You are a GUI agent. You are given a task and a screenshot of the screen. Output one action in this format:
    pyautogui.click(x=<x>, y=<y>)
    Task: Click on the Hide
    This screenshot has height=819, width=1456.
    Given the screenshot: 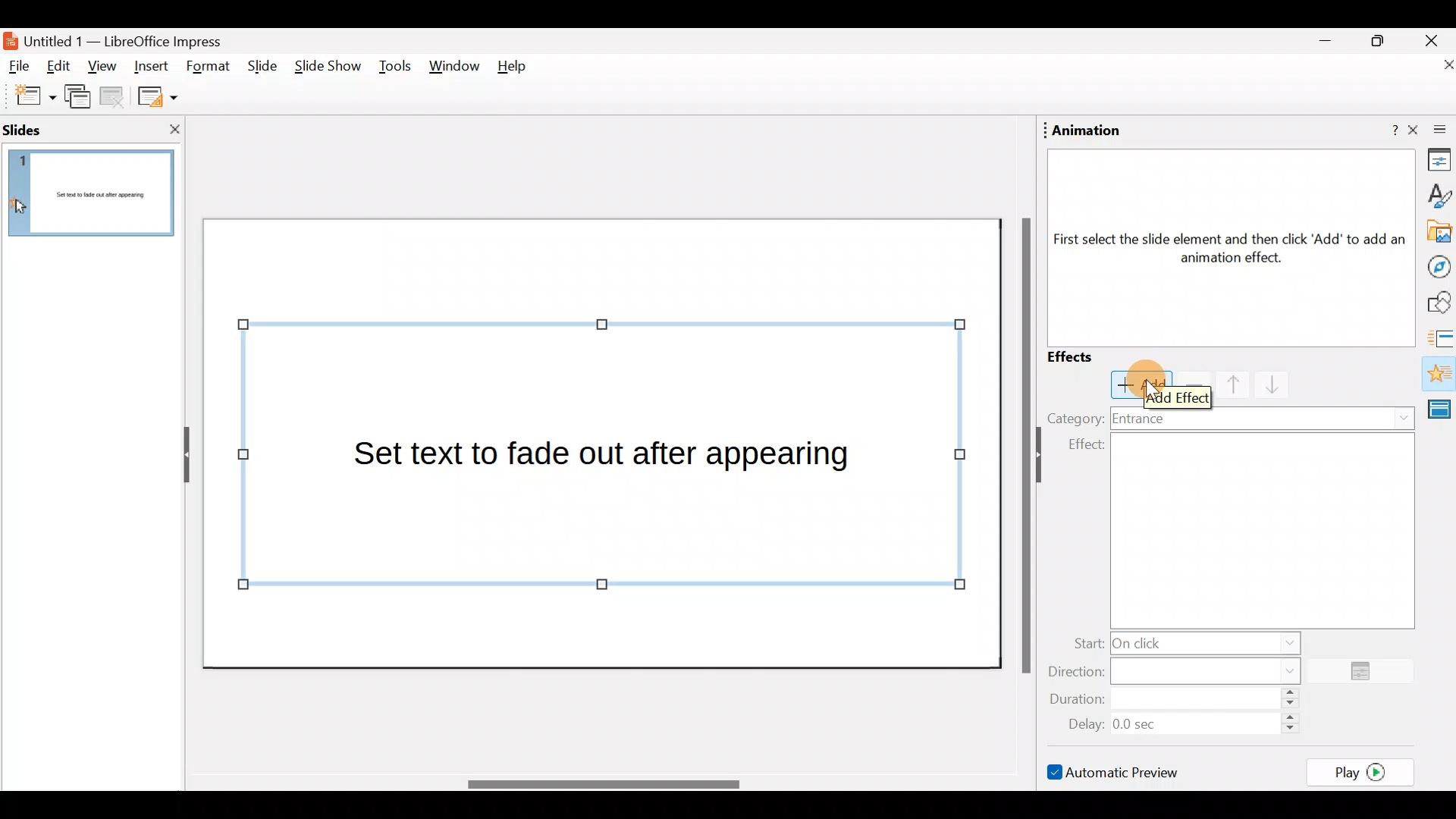 What is the action you would take?
    pyautogui.click(x=180, y=456)
    